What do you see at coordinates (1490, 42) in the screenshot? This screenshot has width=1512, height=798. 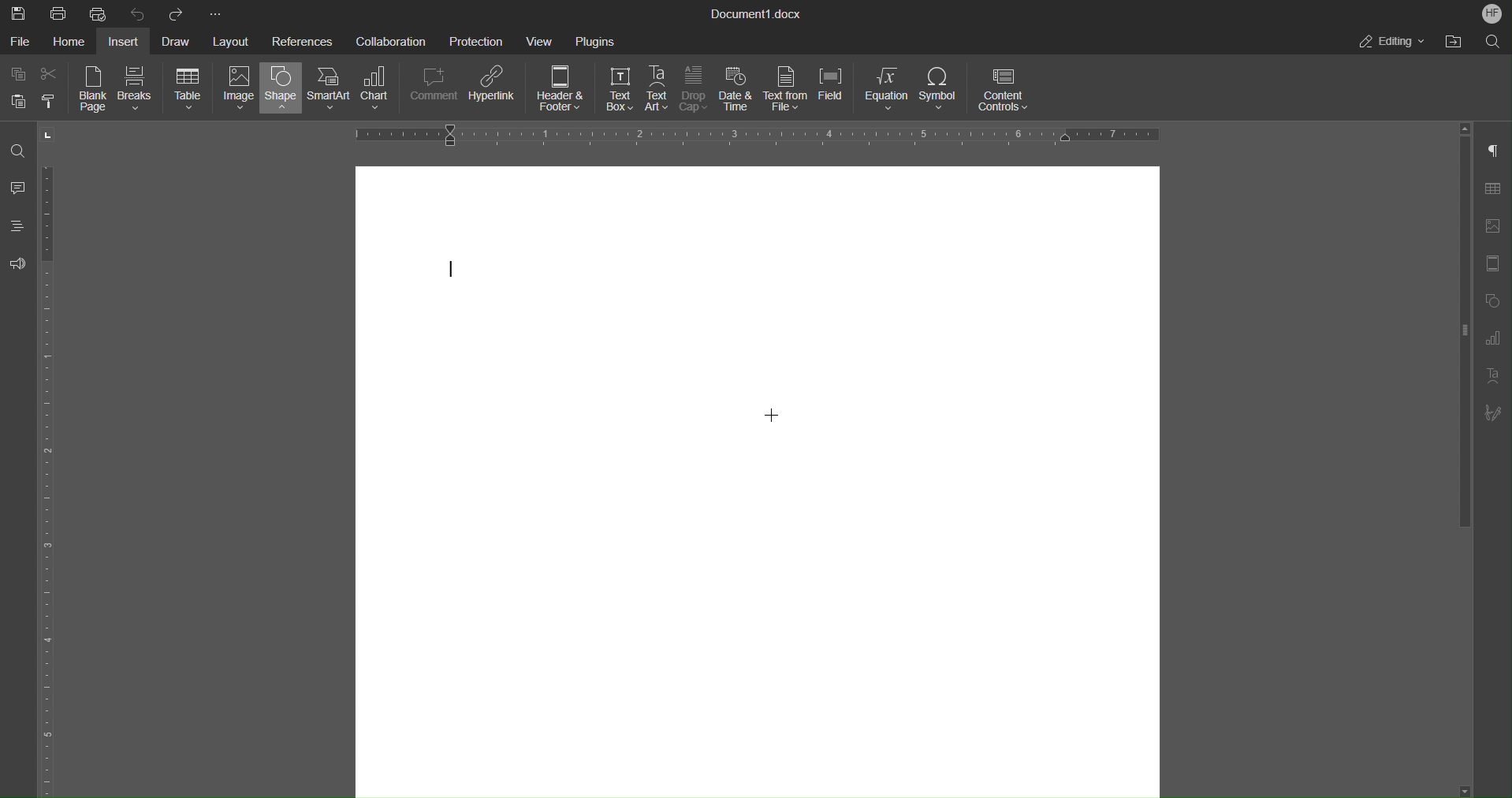 I see `Search` at bounding box center [1490, 42].